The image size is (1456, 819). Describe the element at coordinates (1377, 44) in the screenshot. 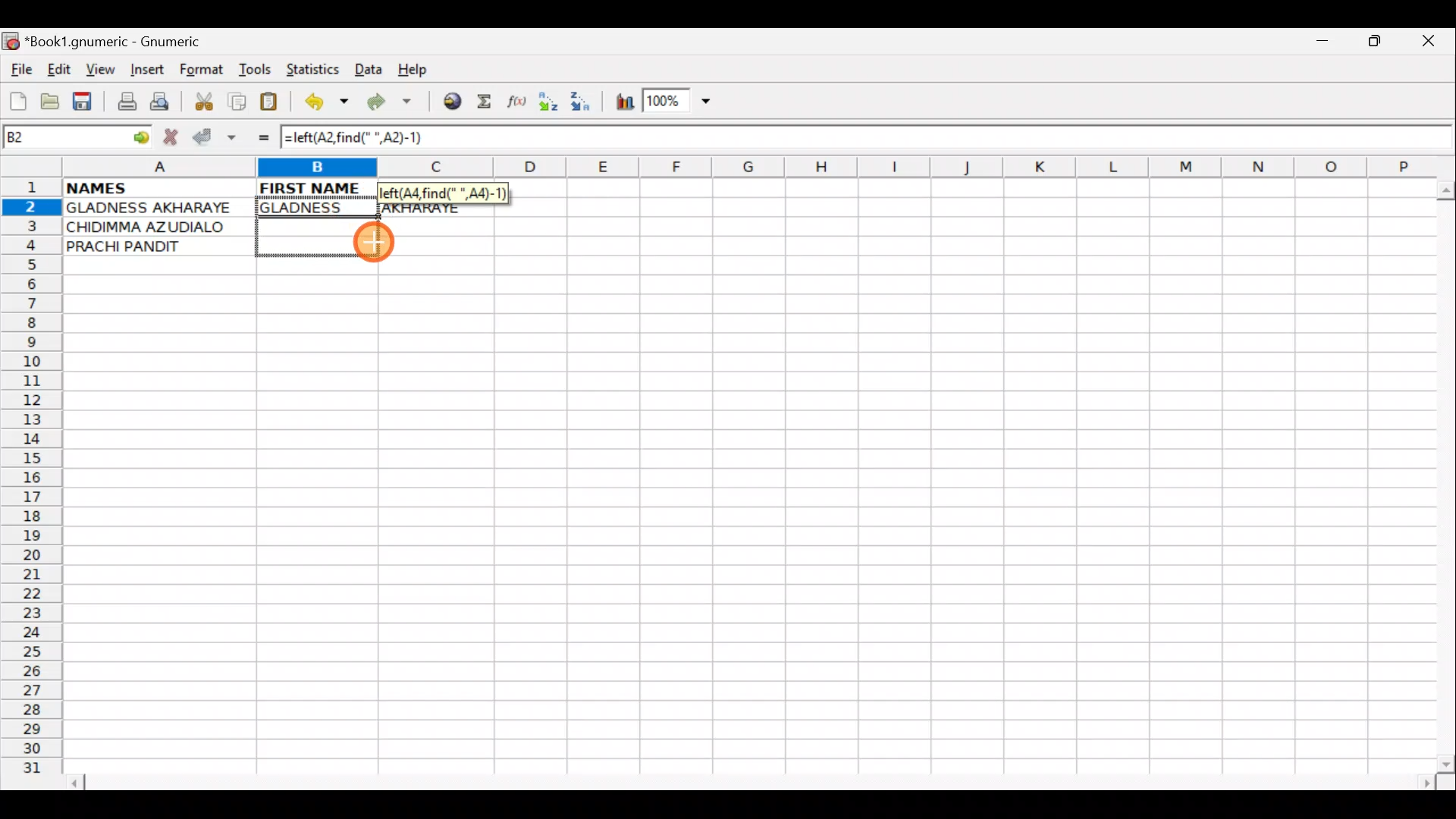

I see `Maximize` at that location.